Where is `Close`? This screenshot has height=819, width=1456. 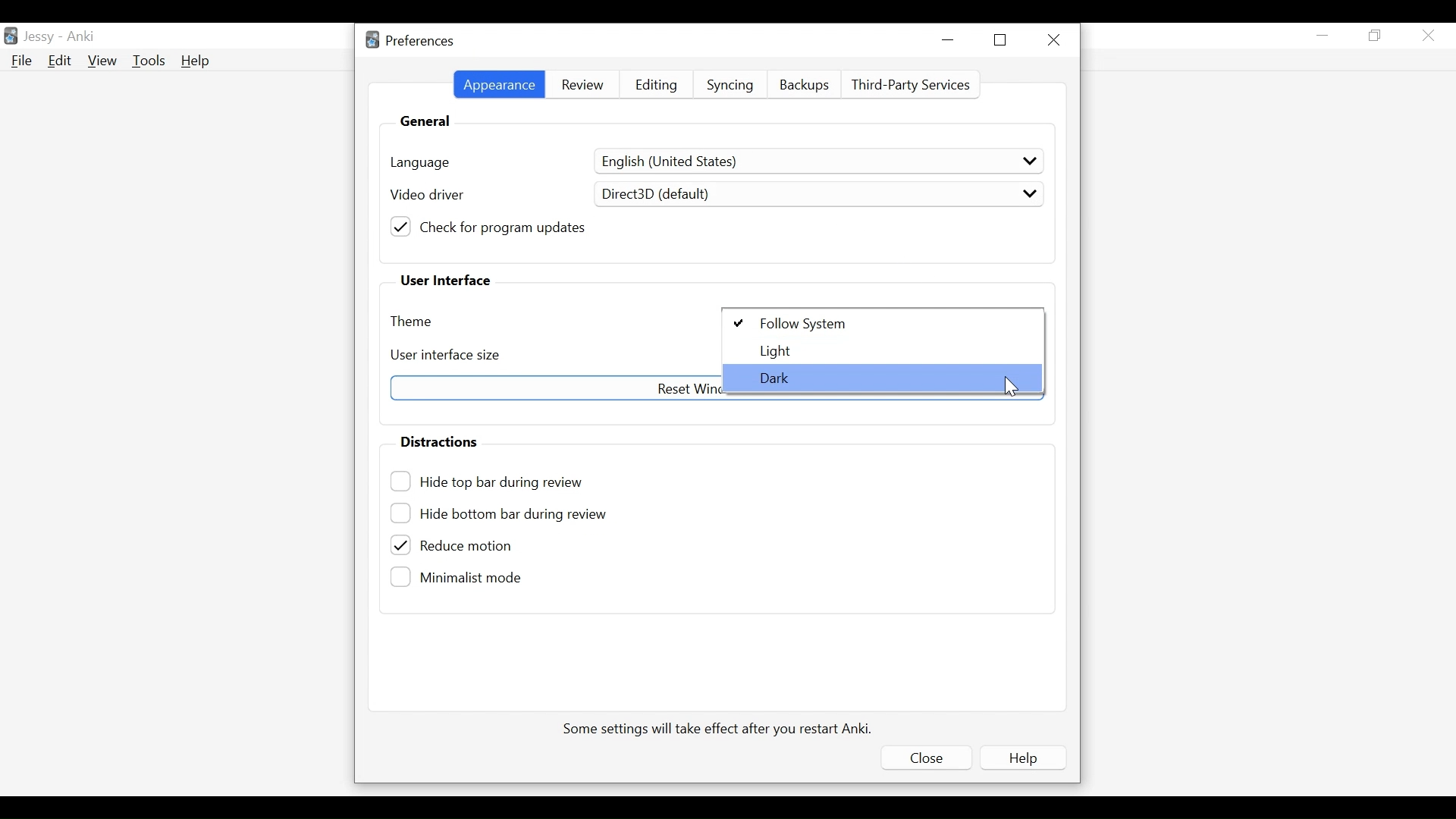
Close is located at coordinates (1057, 41).